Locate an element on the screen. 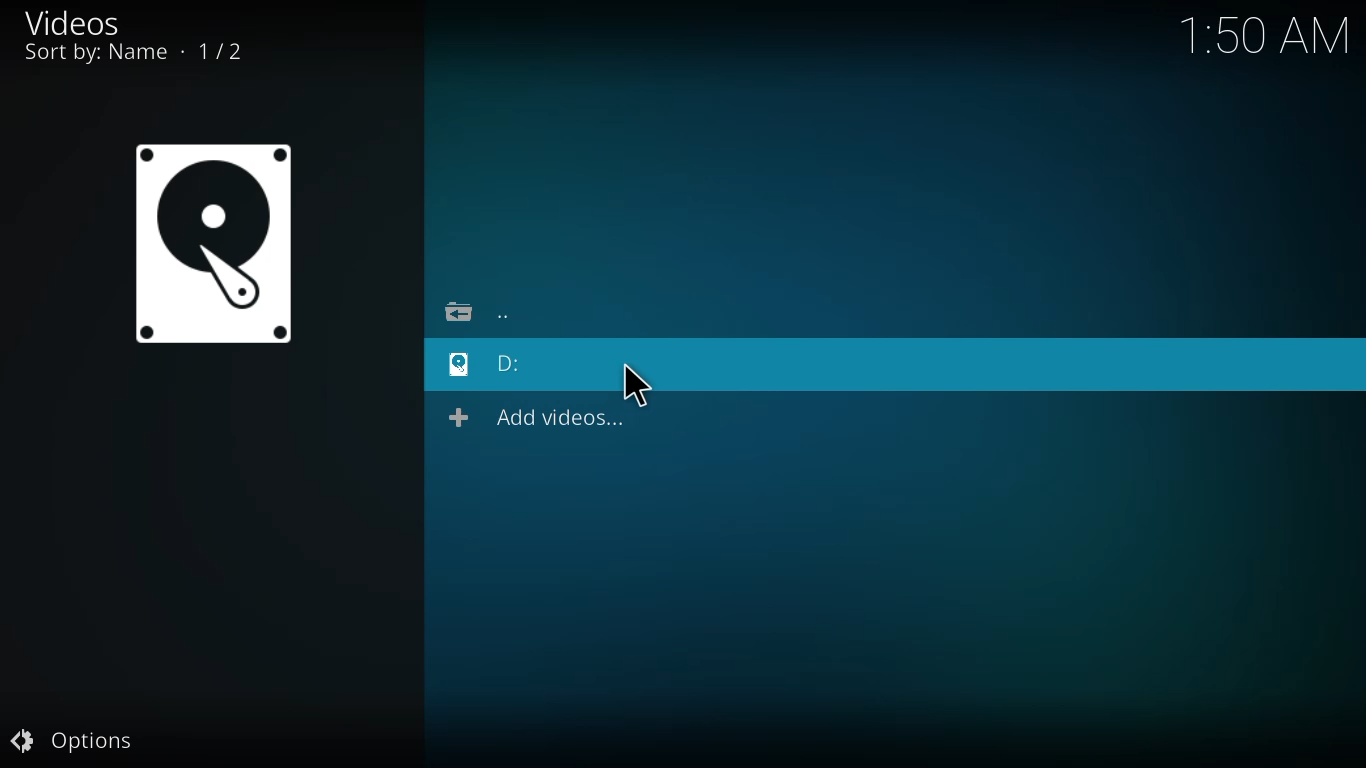  add is located at coordinates (217, 252).